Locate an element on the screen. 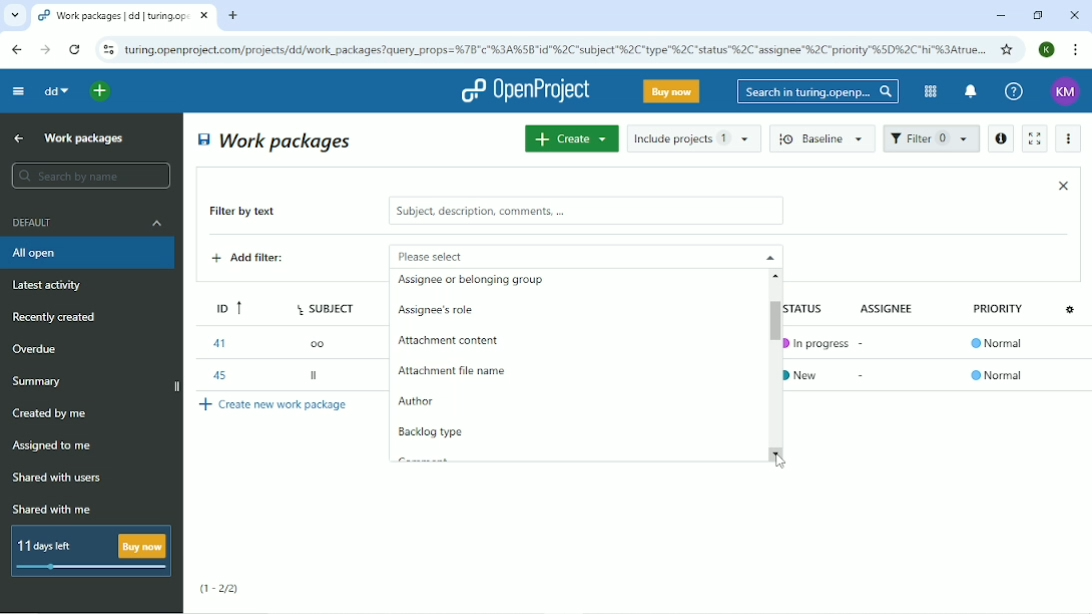 The height and width of the screenshot is (614, 1092). 41 is located at coordinates (218, 343).